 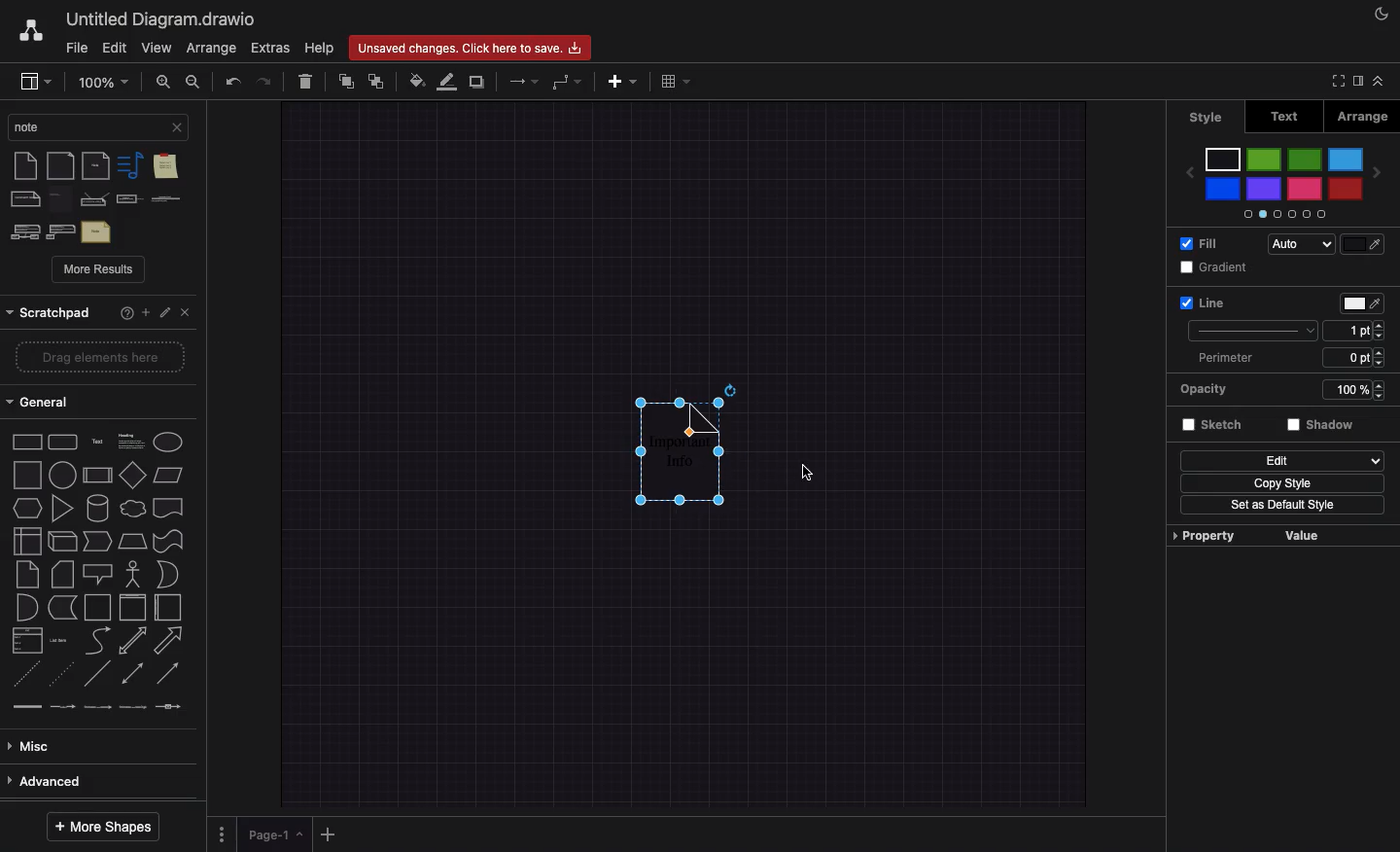 What do you see at coordinates (168, 507) in the screenshot?
I see `document` at bounding box center [168, 507].